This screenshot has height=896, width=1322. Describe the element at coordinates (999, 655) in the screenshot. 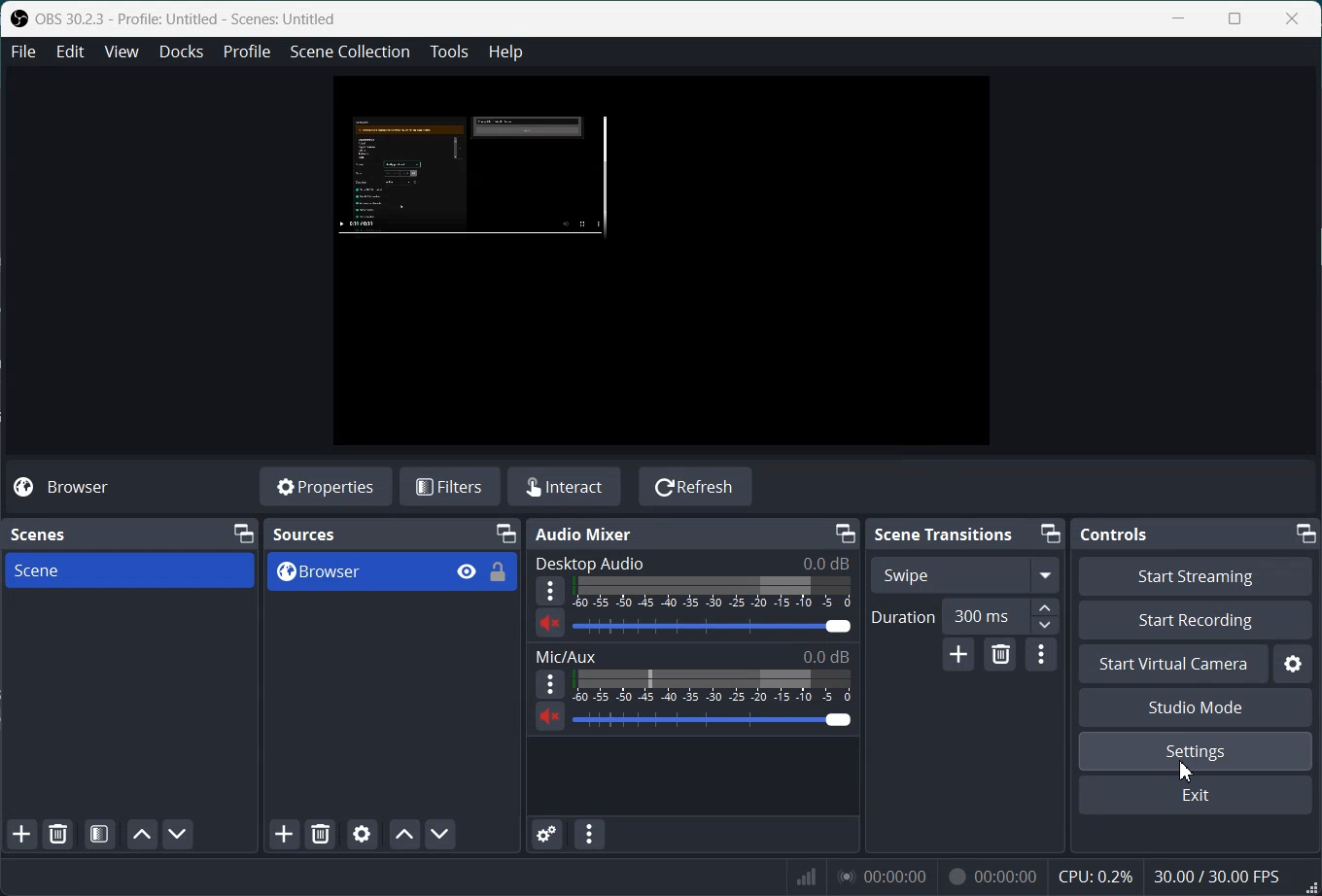

I see `Remove Configurable Transition` at that location.